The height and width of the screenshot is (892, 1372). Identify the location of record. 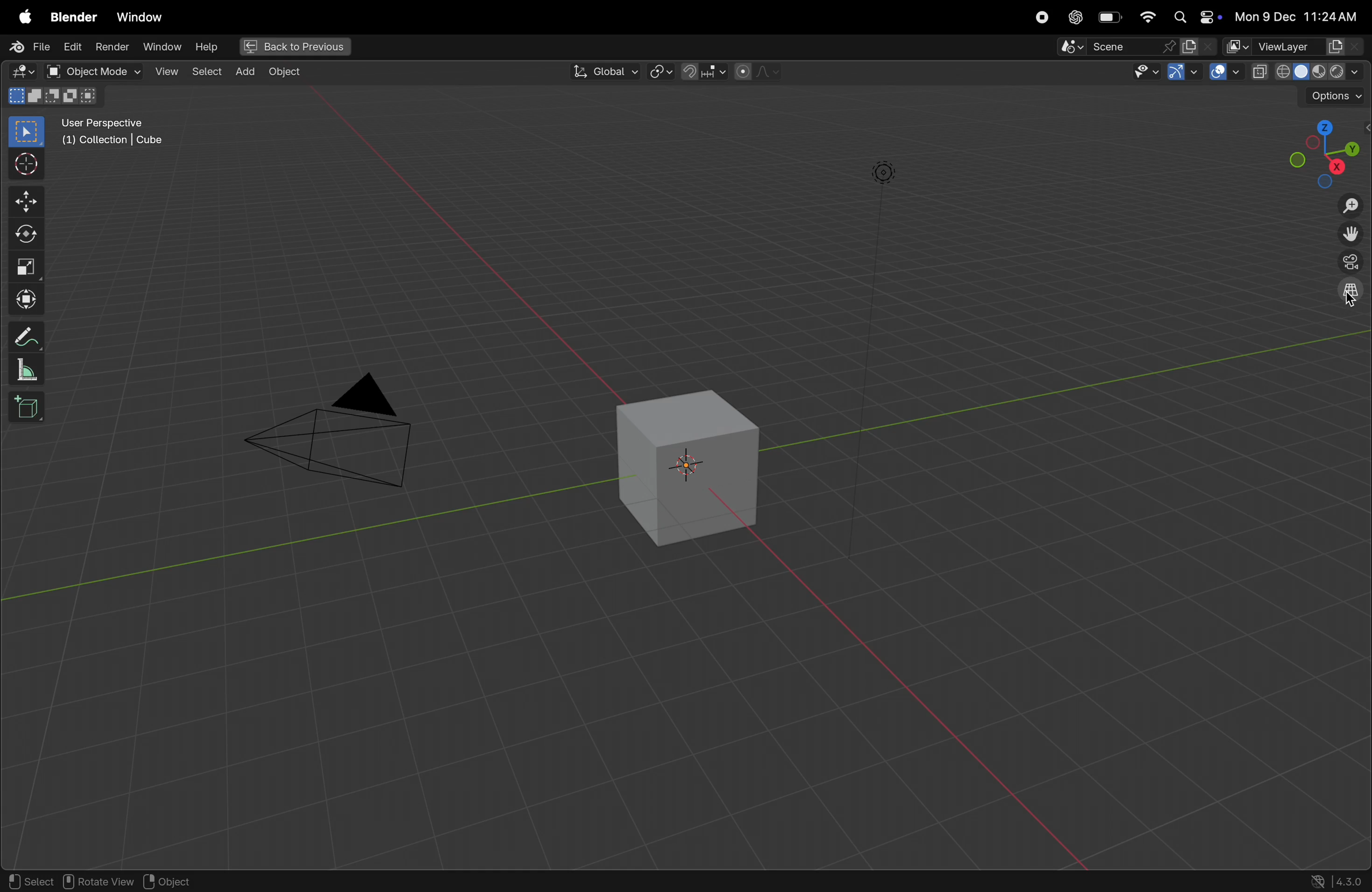
(1038, 17).